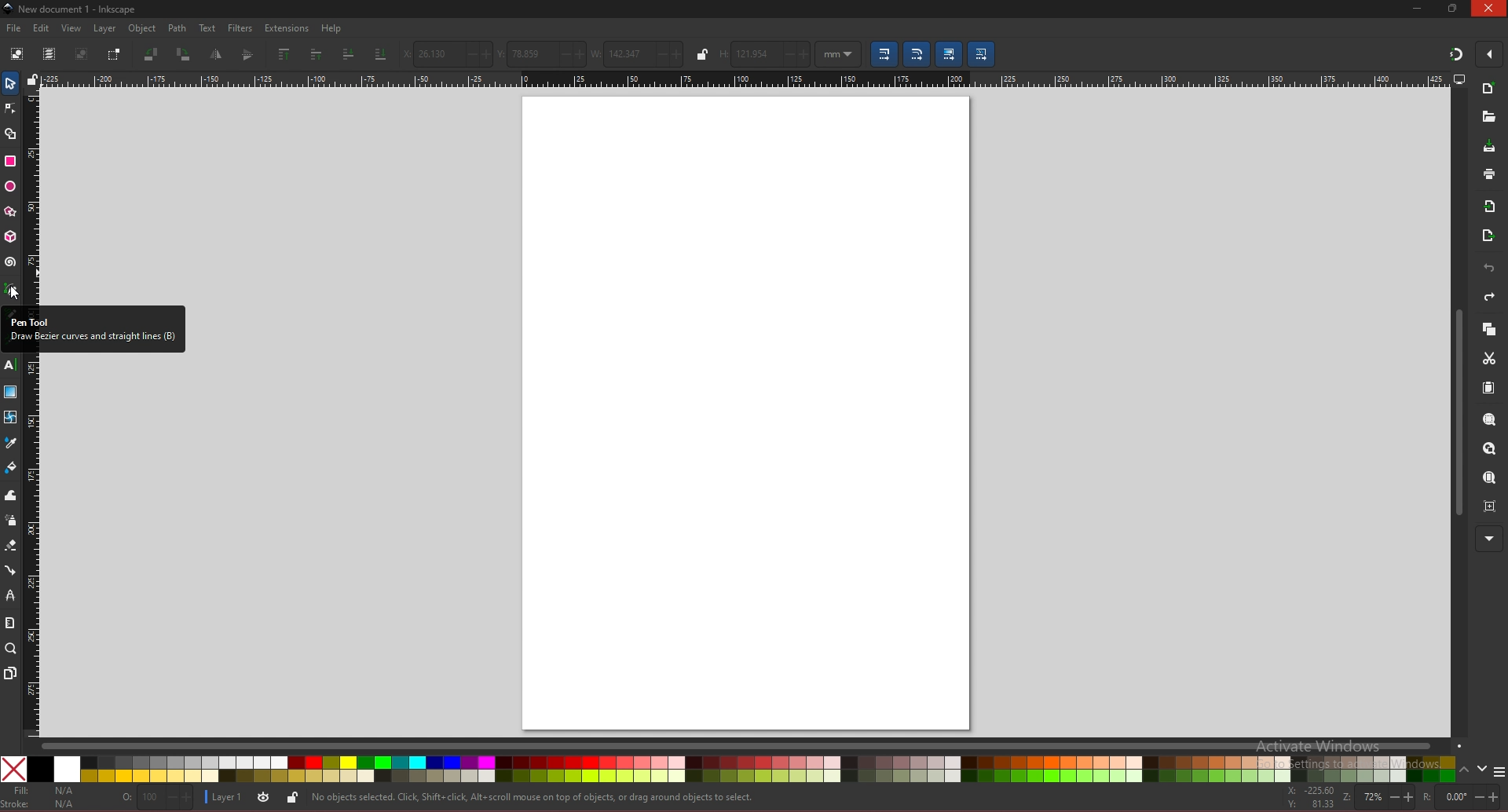 The width and height of the screenshot is (1508, 812). I want to click on zoom drawing, so click(1488, 449).